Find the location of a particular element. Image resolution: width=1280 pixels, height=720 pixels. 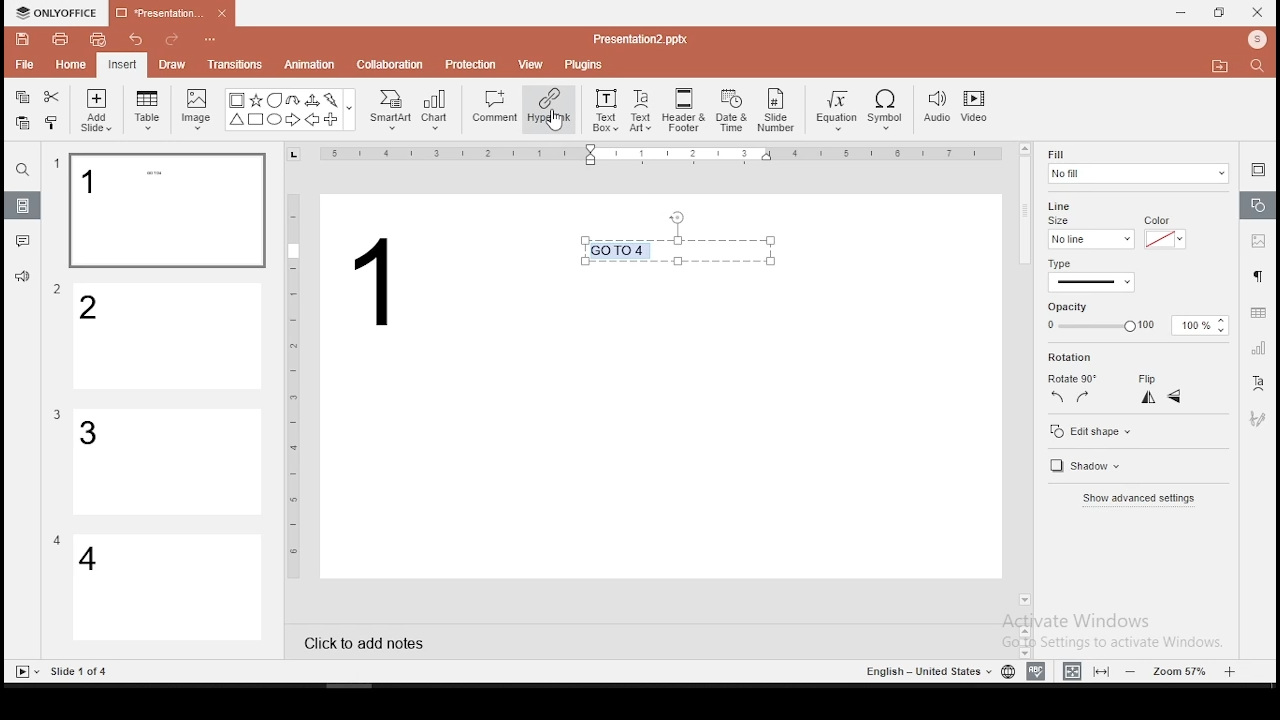

language is located at coordinates (1007, 672).